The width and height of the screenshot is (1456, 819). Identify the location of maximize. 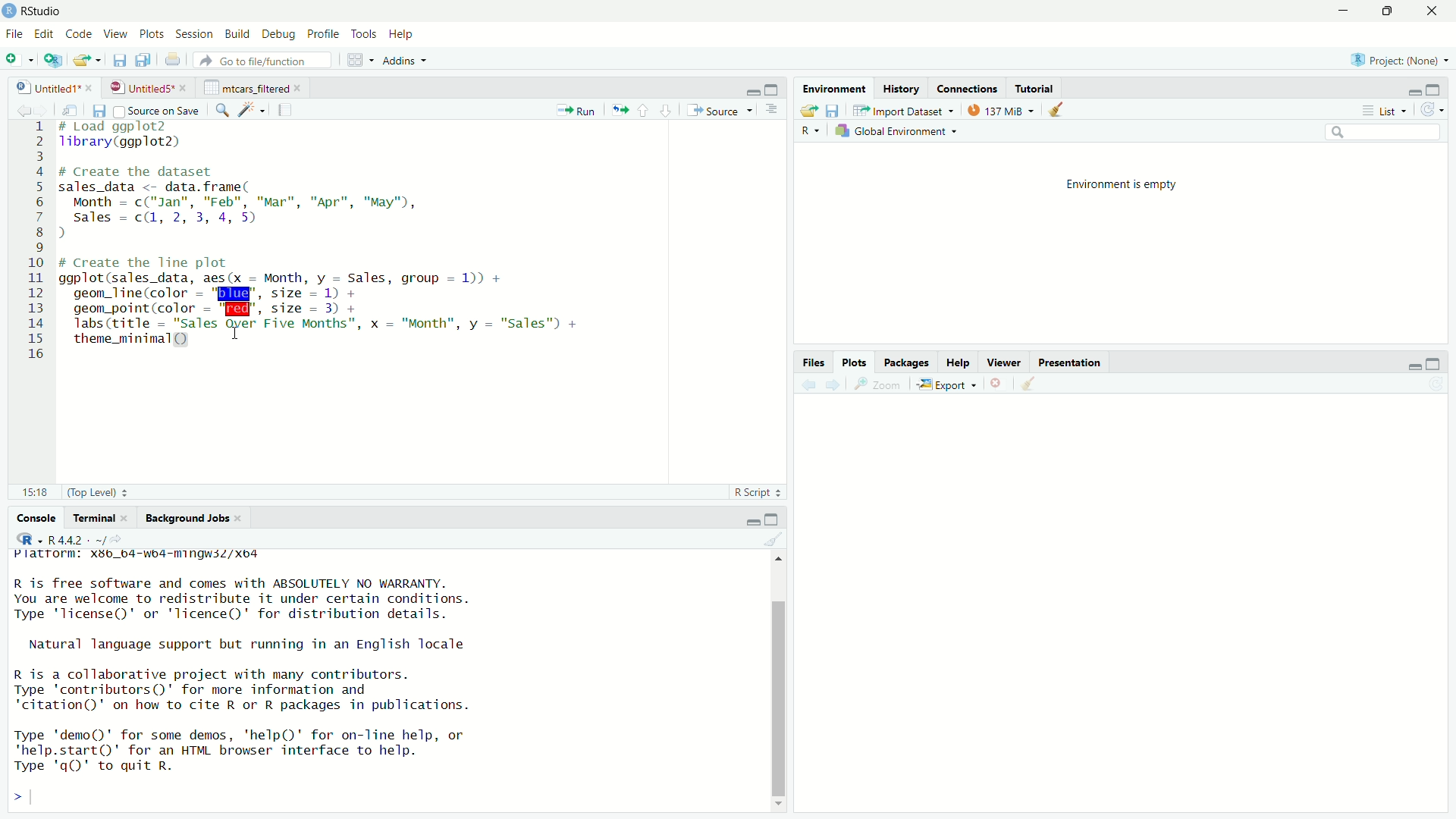
(772, 520).